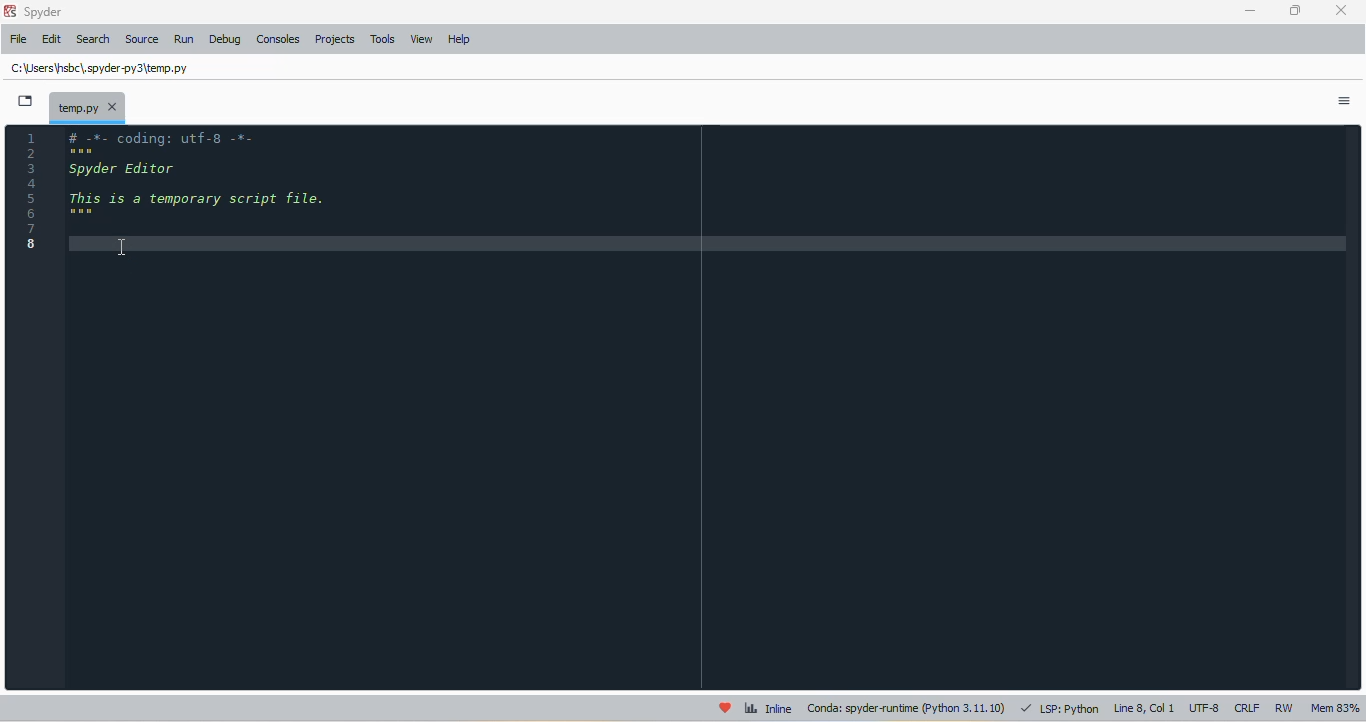 The image size is (1366, 722). What do you see at coordinates (383, 39) in the screenshot?
I see `tools` at bounding box center [383, 39].